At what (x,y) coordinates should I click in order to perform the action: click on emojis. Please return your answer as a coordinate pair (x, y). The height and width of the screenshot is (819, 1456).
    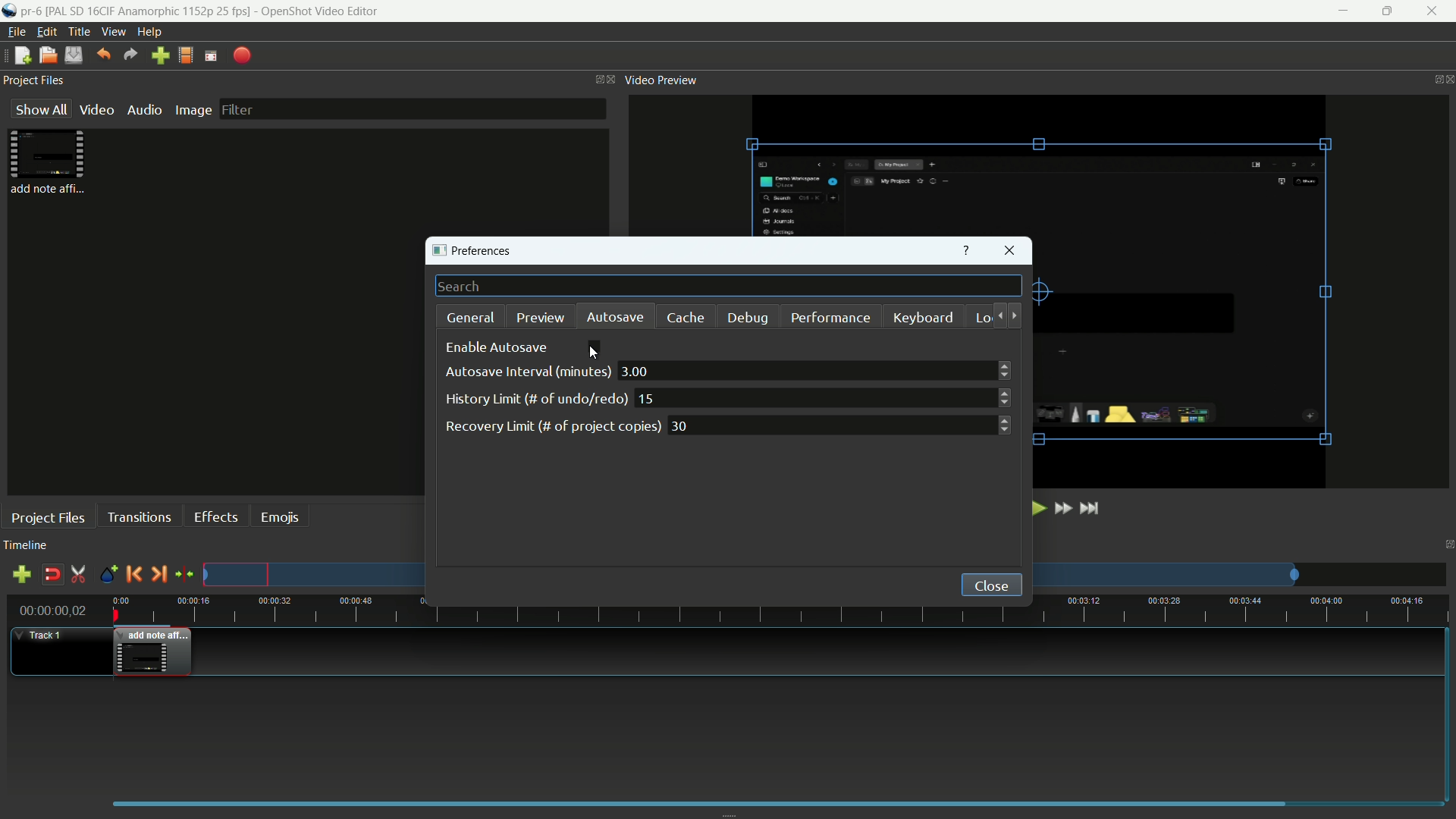
    Looking at the image, I should click on (280, 518).